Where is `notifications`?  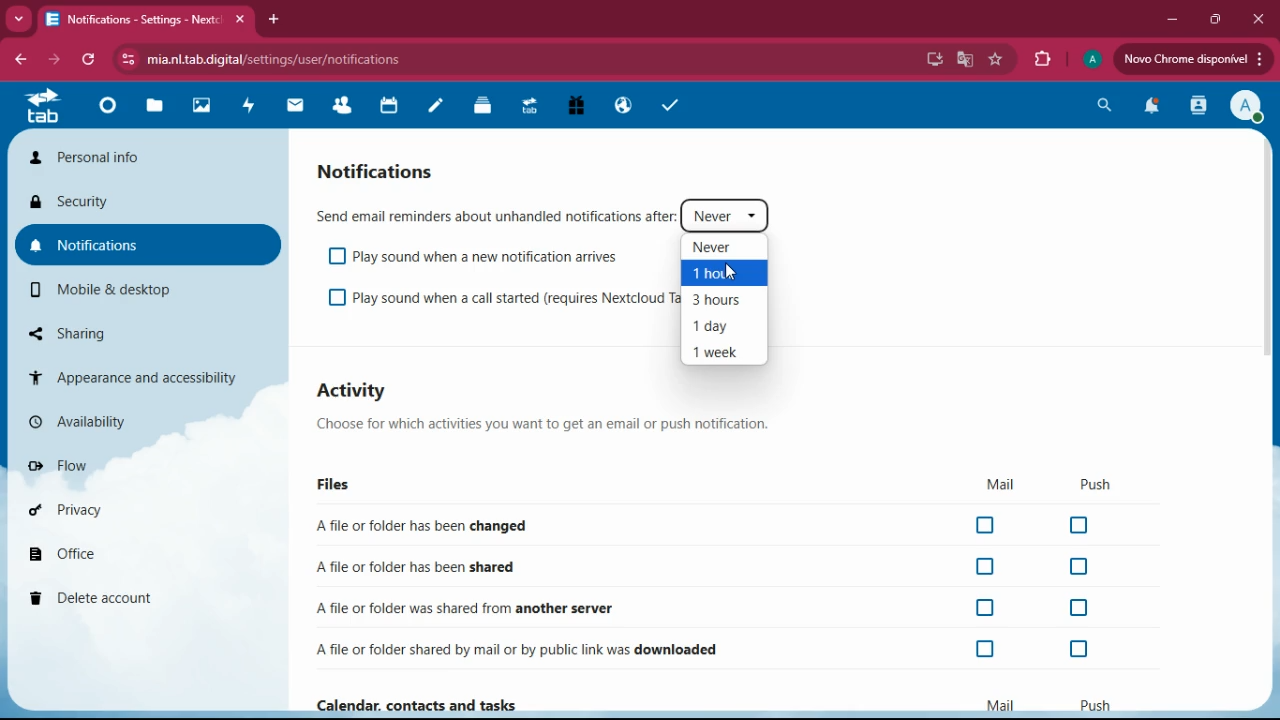 notifications is located at coordinates (148, 245).